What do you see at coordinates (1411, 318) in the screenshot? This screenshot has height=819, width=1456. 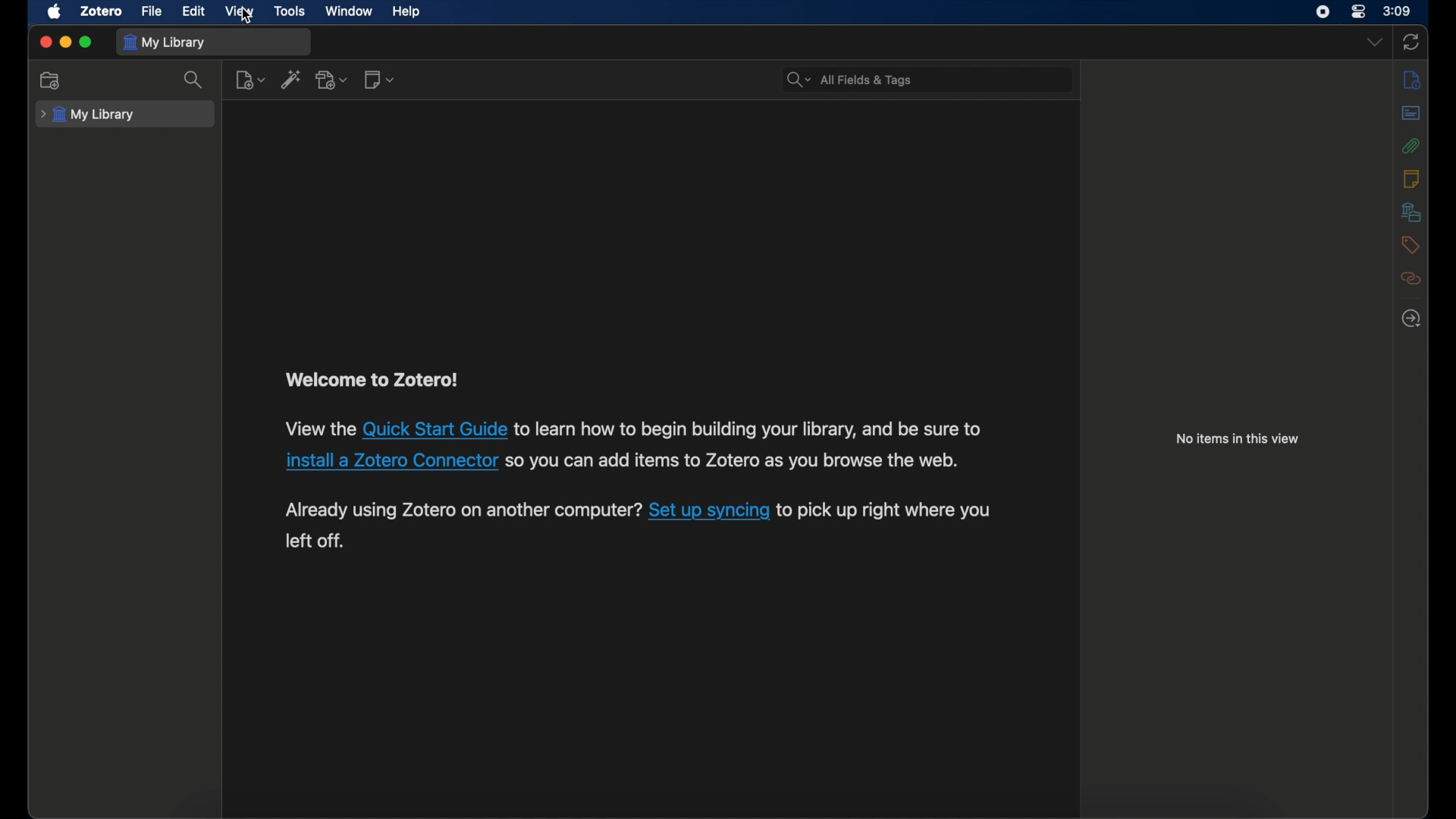 I see `locate` at bounding box center [1411, 318].